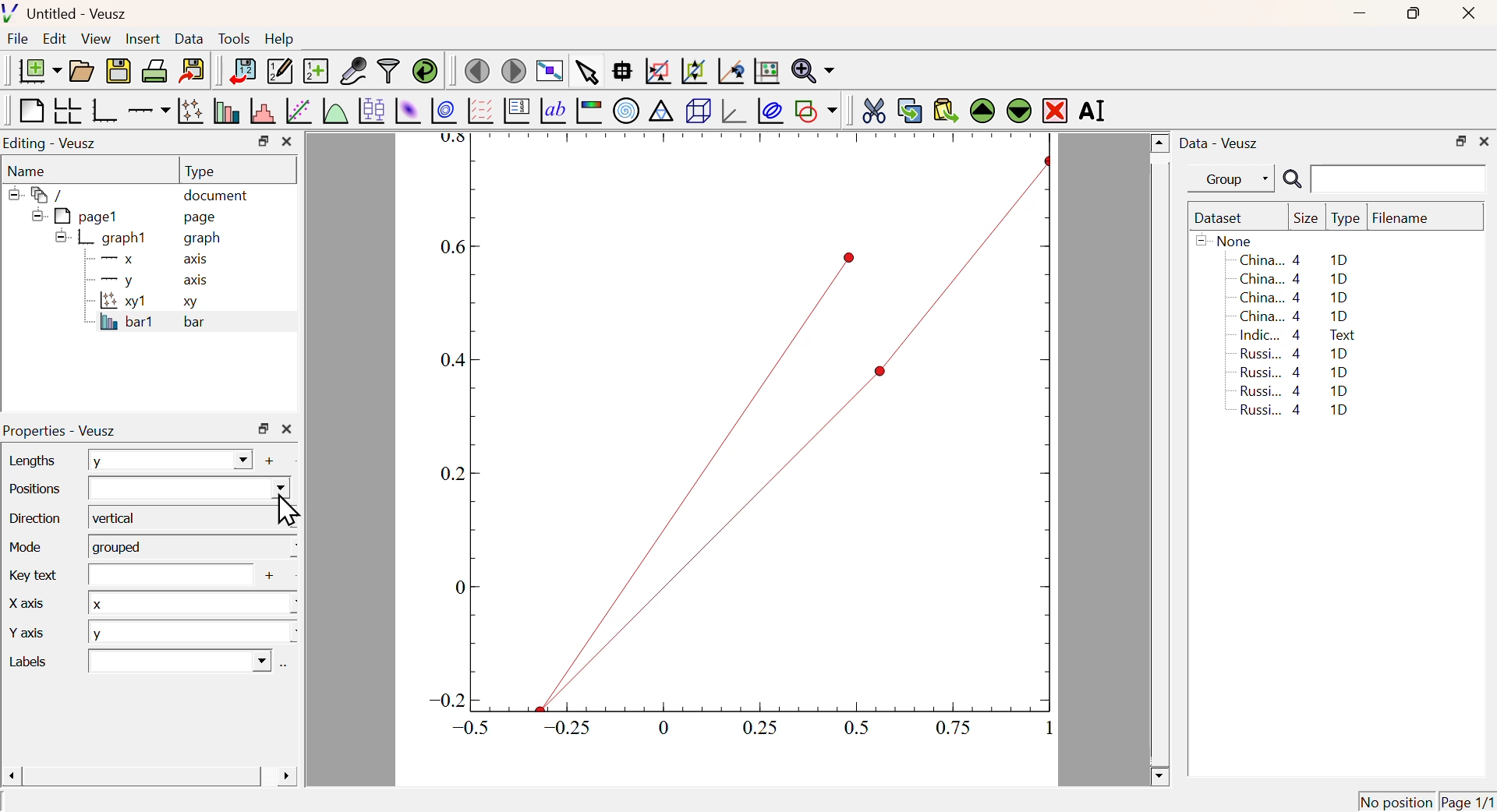 The height and width of the screenshot is (812, 1497). What do you see at coordinates (34, 634) in the screenshot?
I see `Y axis` at bounding box center [34, 634].